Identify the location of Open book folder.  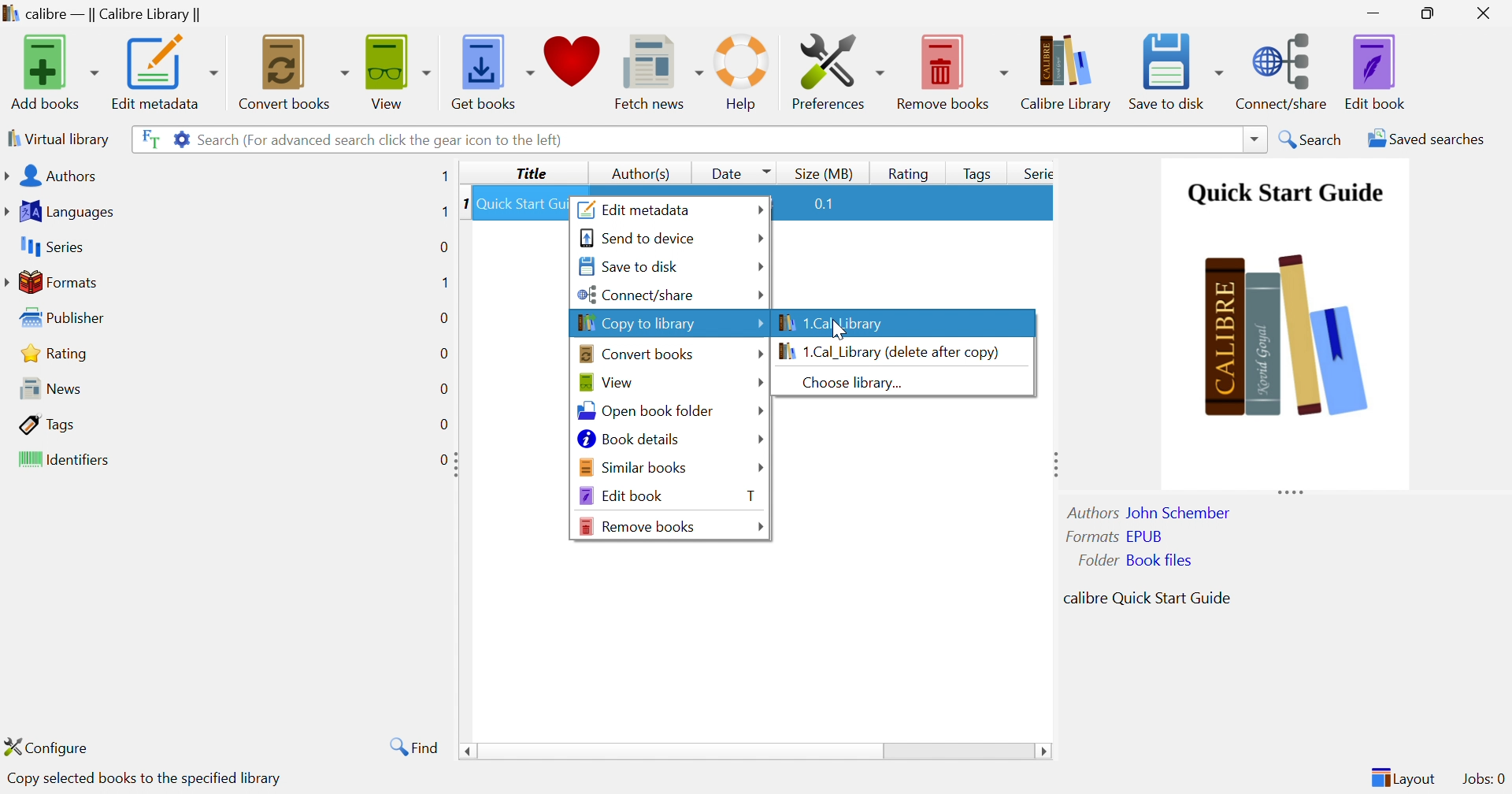
(645, 410).